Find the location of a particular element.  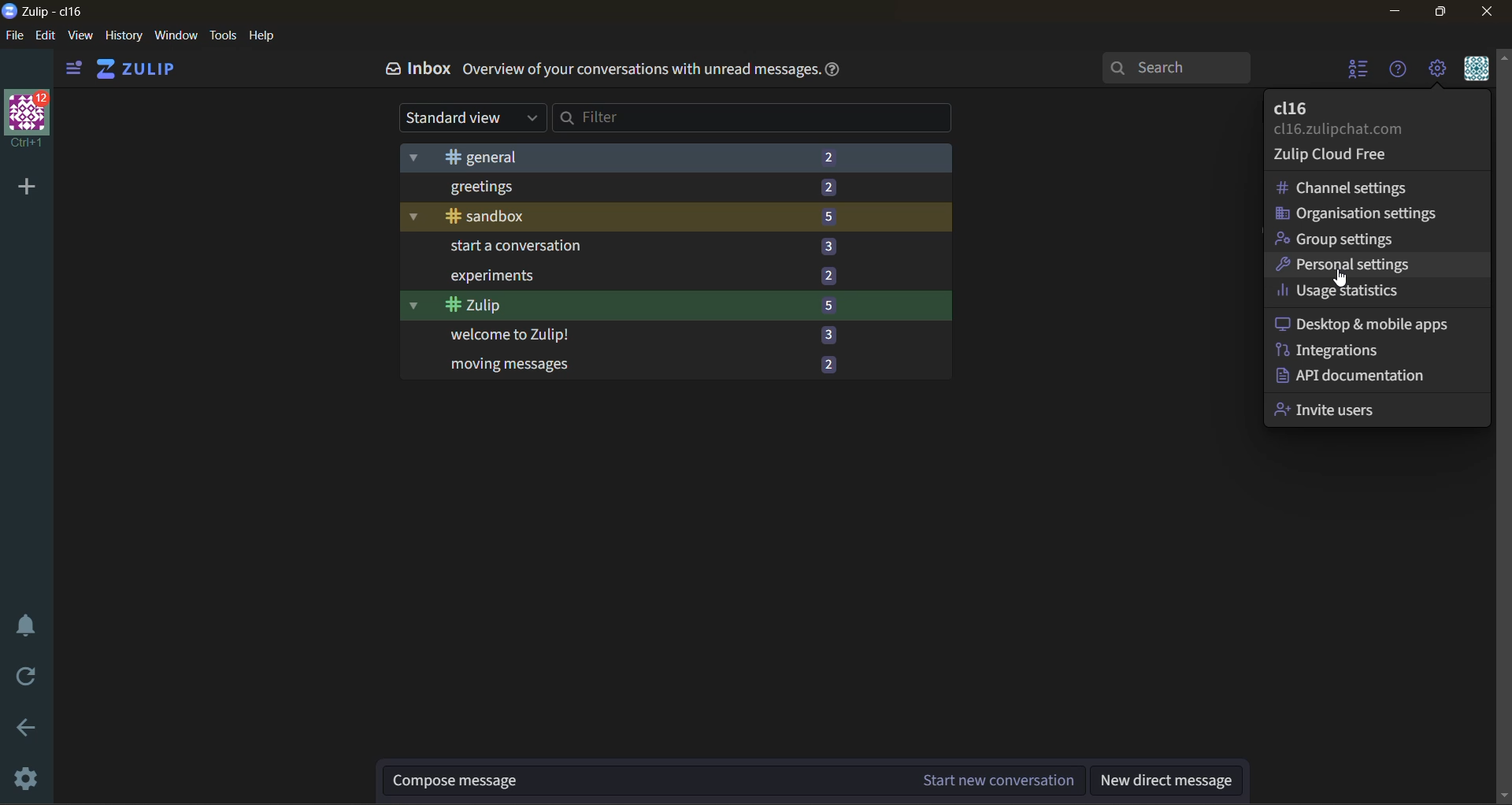

search is located at coordinates (1177, 68).